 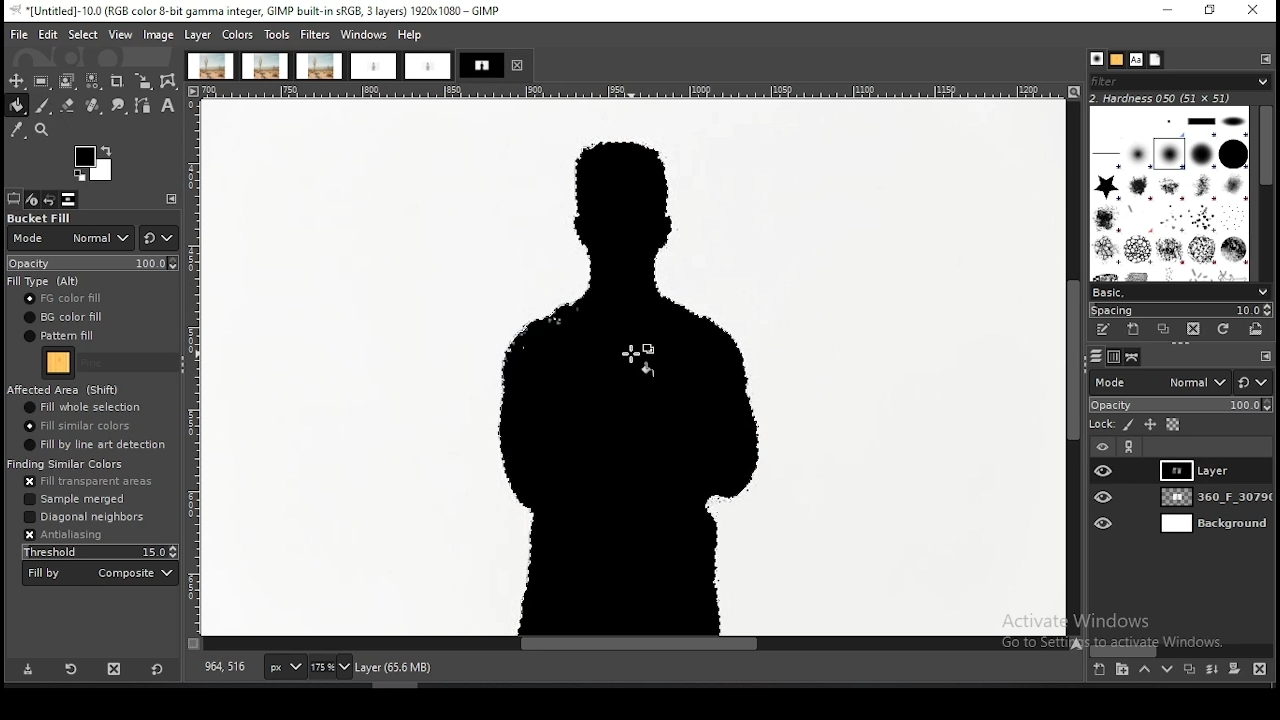 I want to click on zoom status, so click(x=328, y=670).